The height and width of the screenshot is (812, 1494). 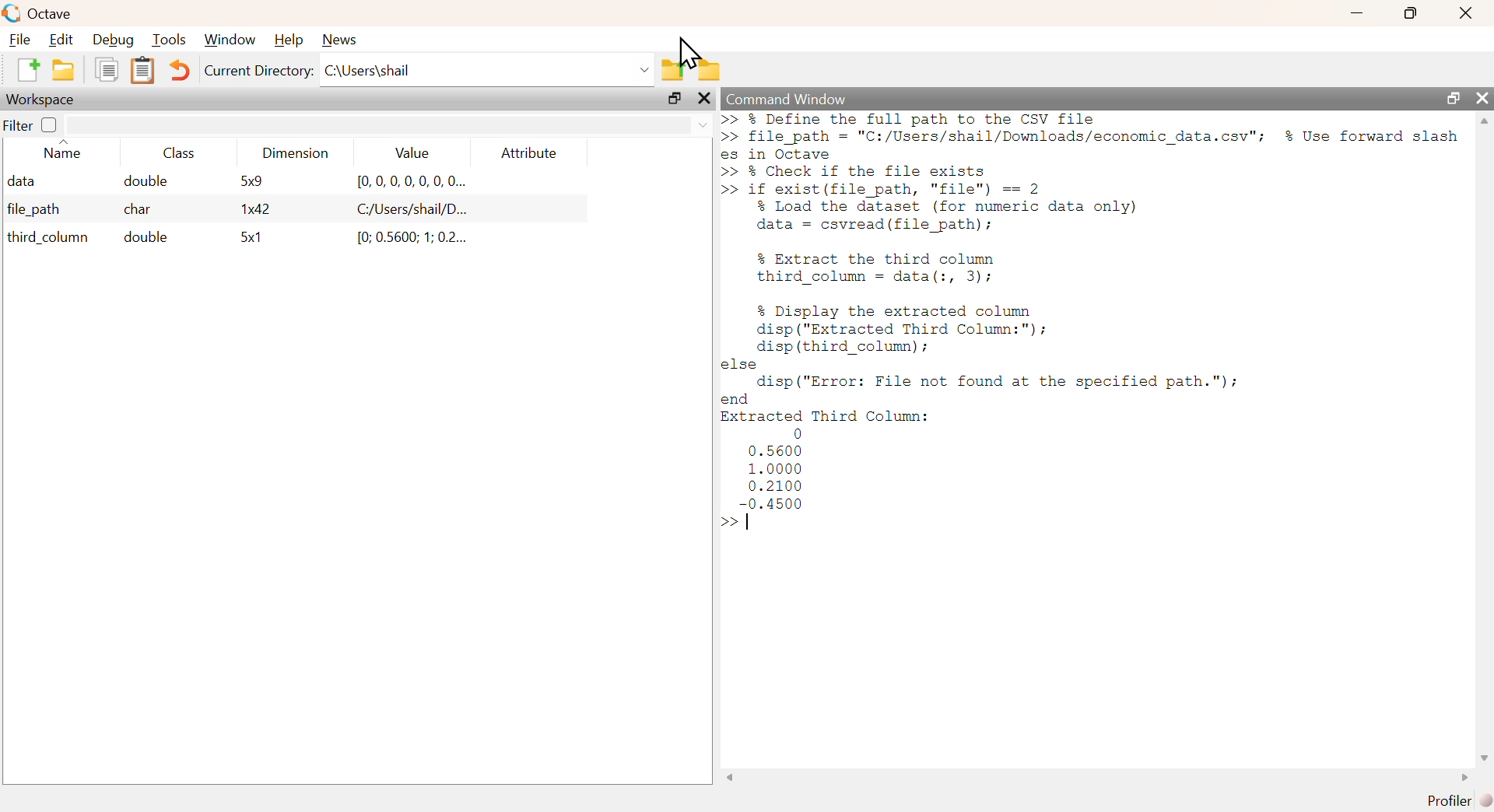 I want to click on Tools, so click(x=170, y=40).